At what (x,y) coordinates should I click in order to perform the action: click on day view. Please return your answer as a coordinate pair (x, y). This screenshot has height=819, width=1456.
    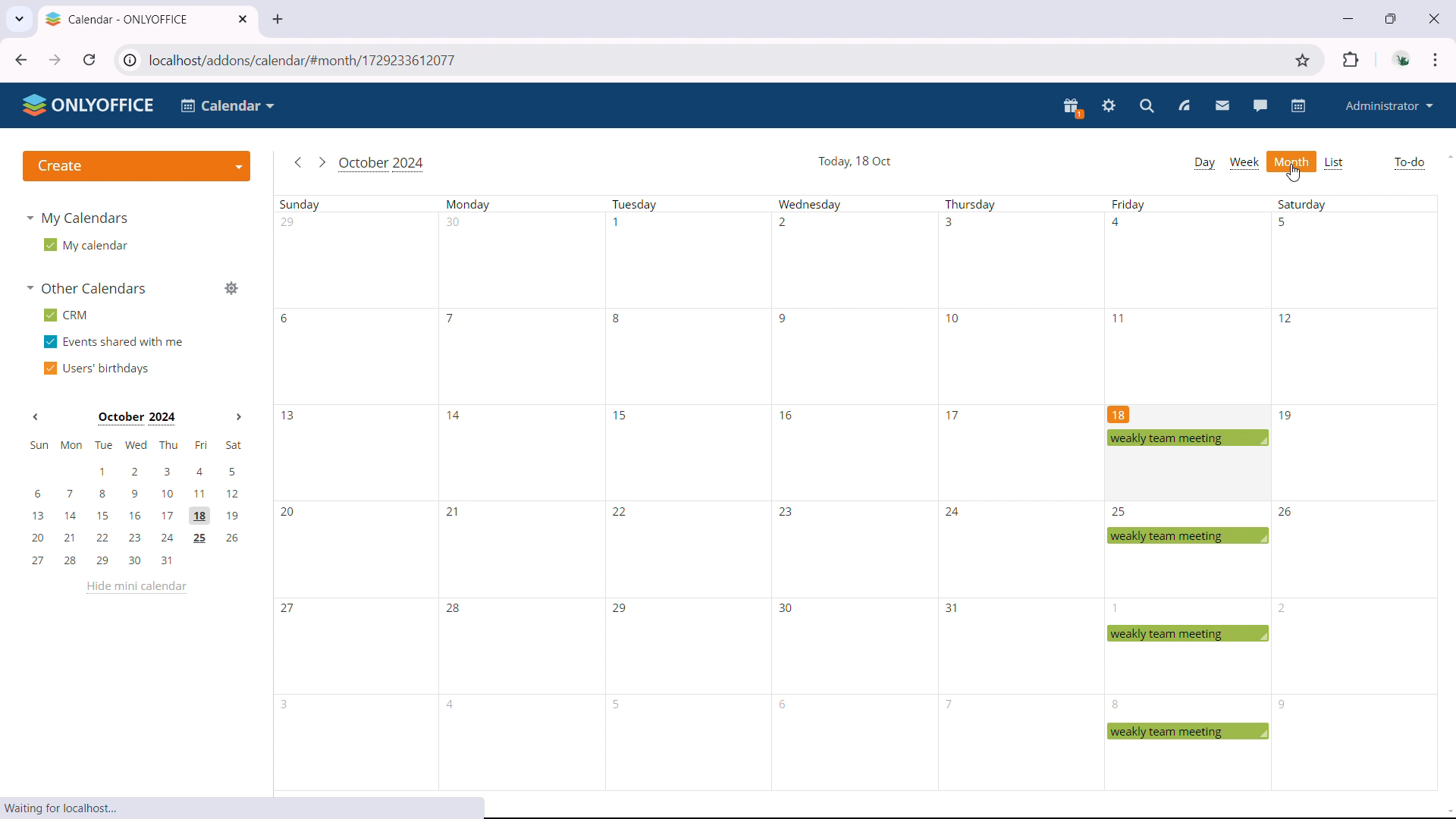
    Looking at the image, I should click on (1205, 163).